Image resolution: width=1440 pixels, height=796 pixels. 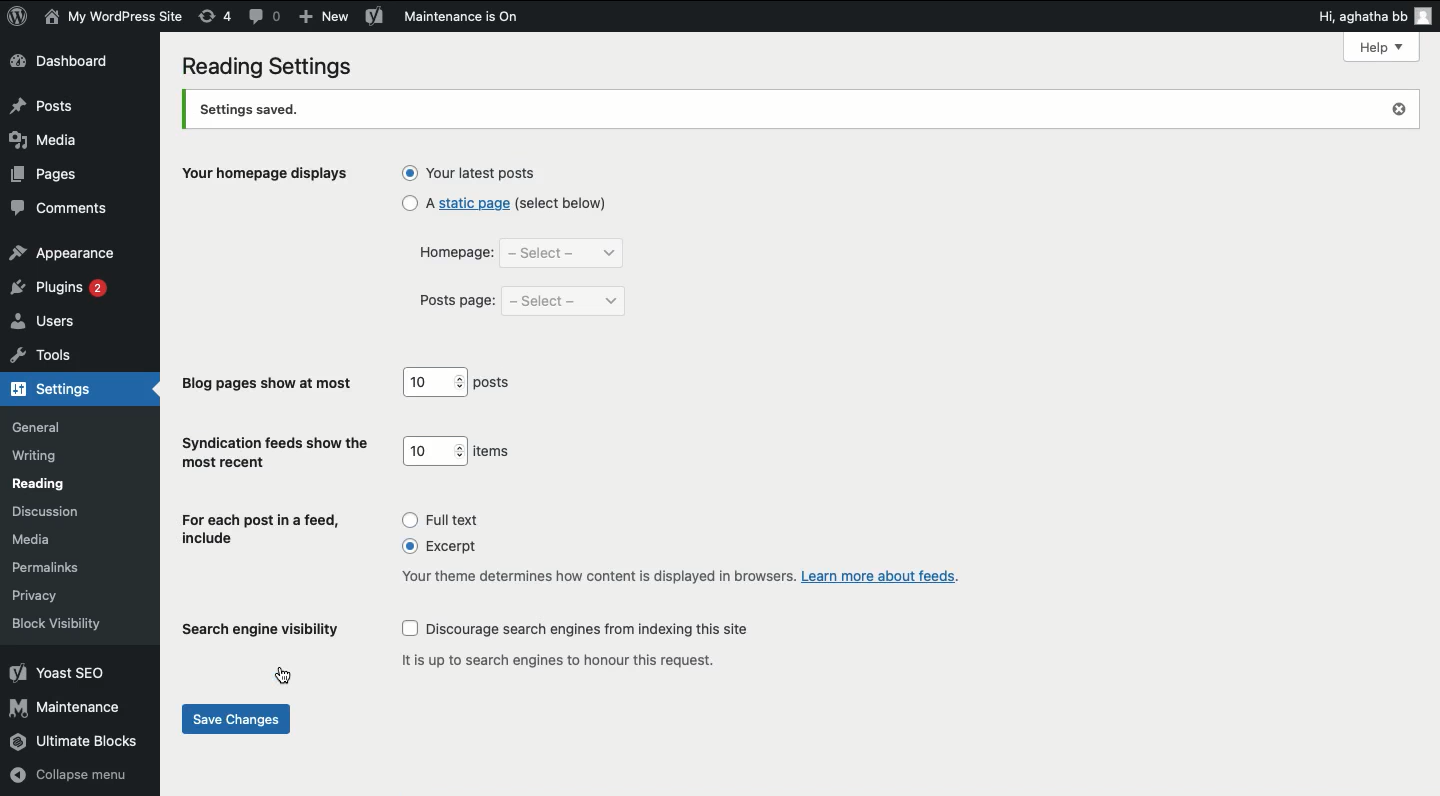 I want to click on 10, so click(x=435, y=382).